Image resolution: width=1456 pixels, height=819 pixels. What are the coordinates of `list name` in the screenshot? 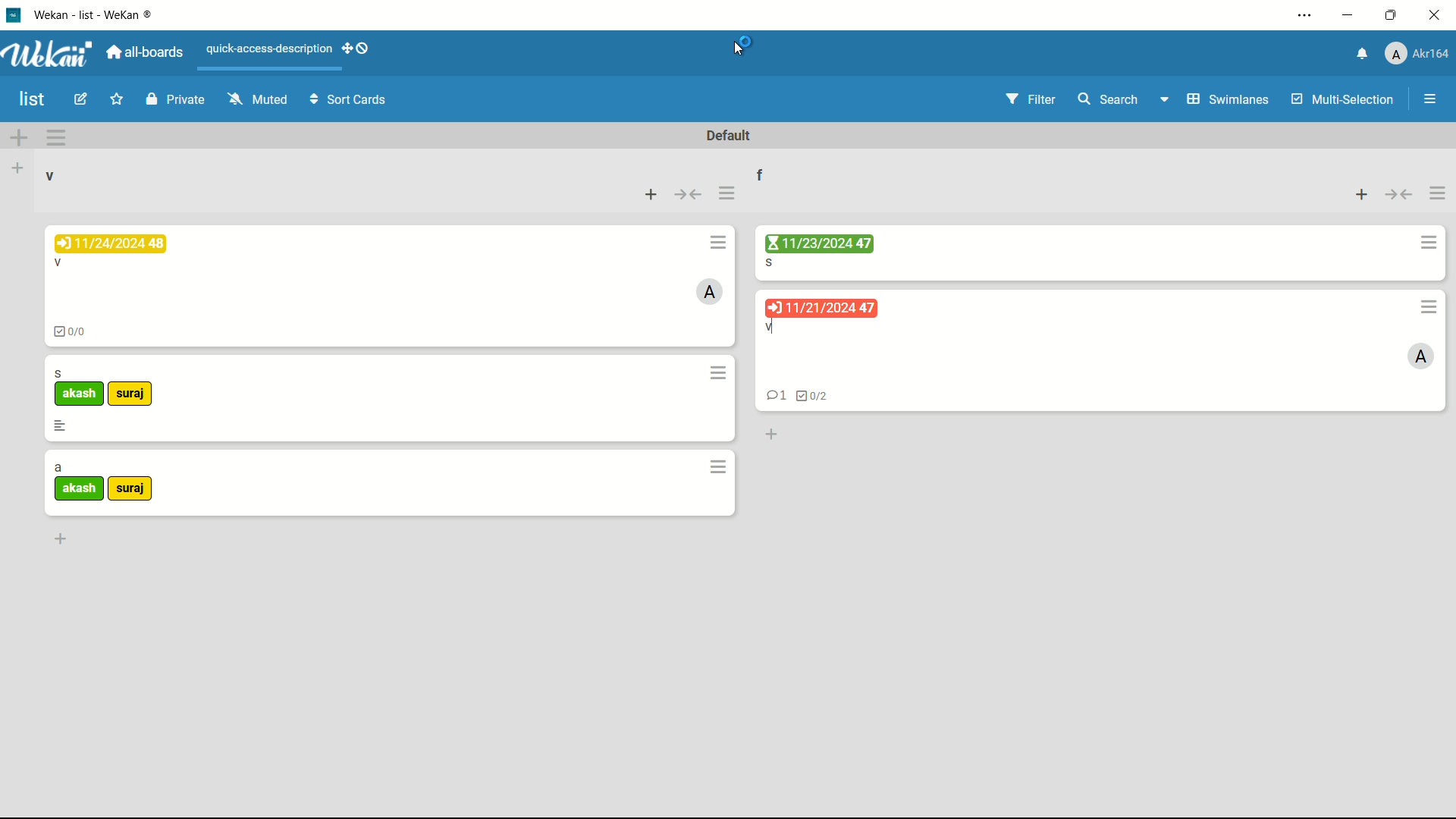 It's located at (761, 174).